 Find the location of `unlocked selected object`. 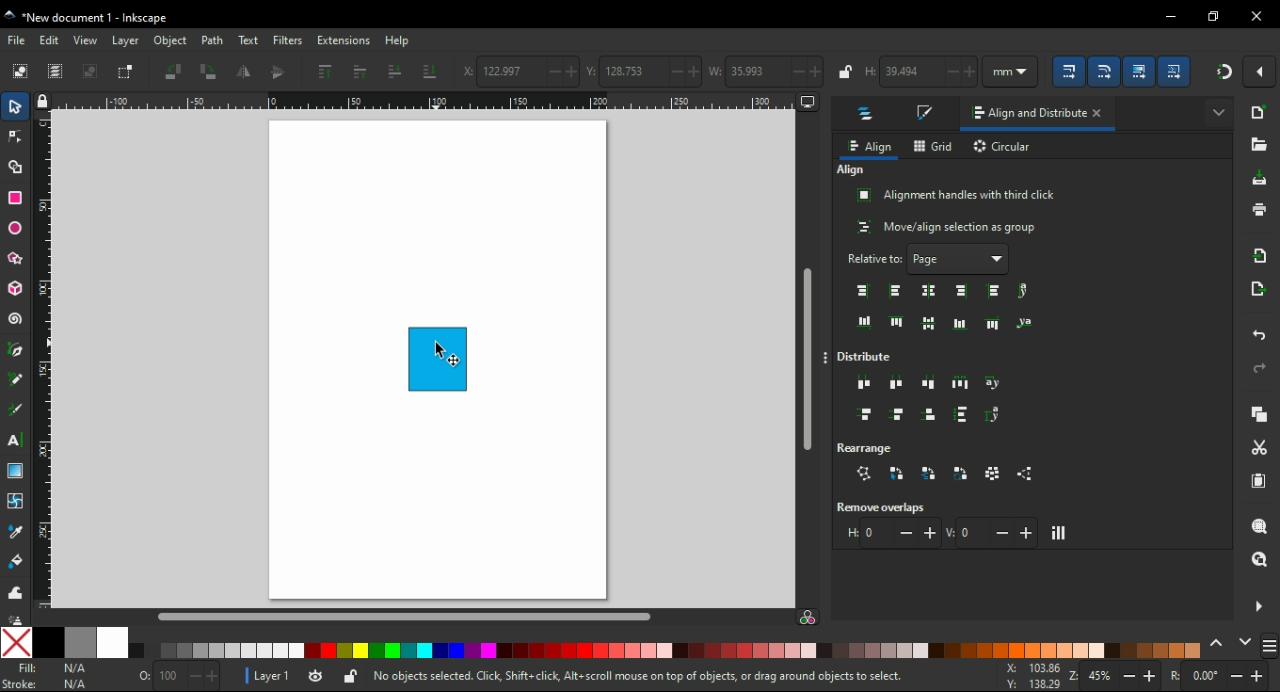

unlocked selected object is located at coordinates (349, 677).